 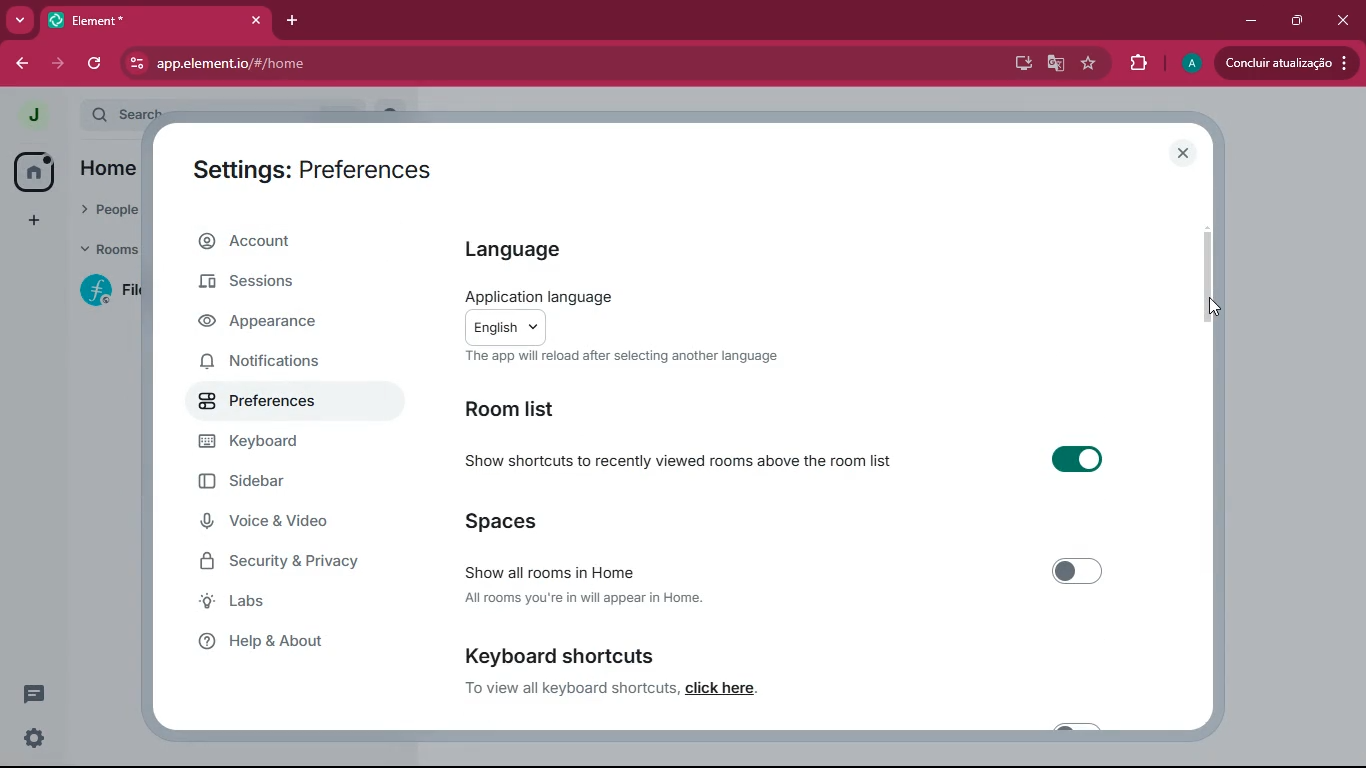 I want to click on refresh, so click(x=96, y=64).